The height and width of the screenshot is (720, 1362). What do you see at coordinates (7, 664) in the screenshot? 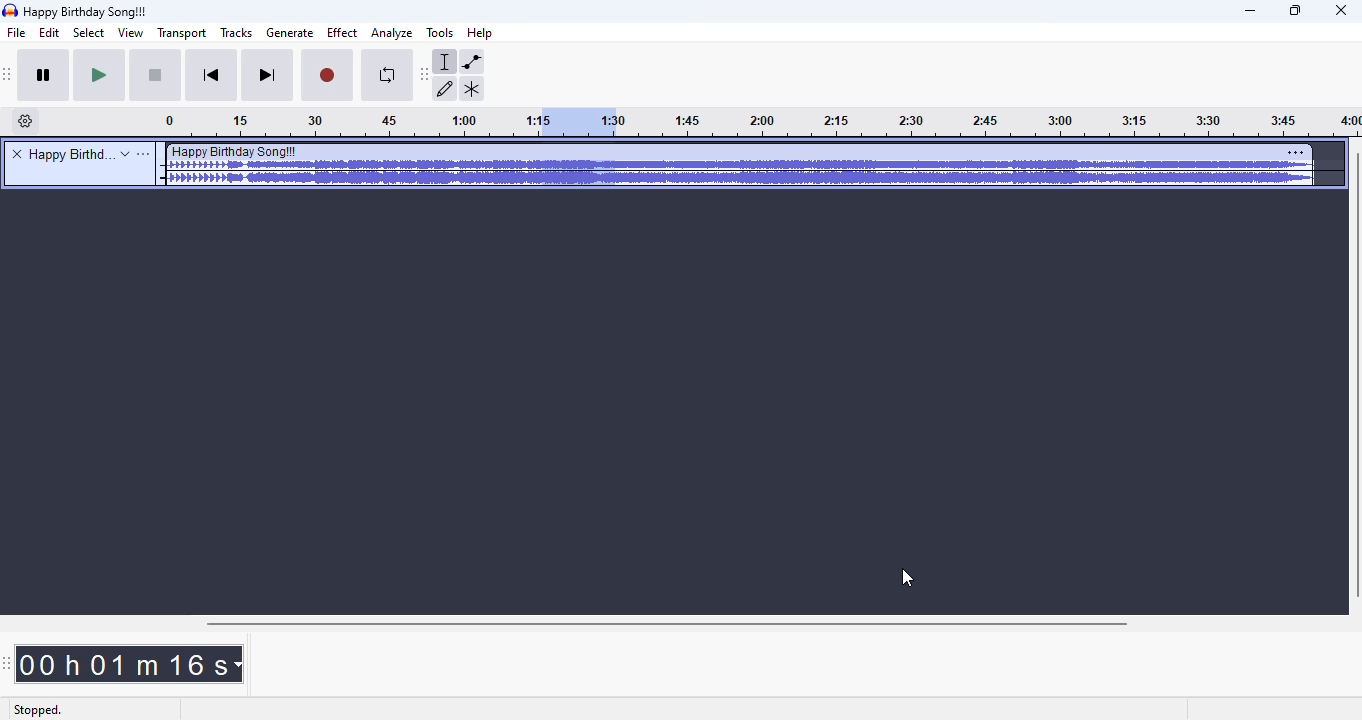
I see `audacity time toolbar` at bounding box center [7, 664].